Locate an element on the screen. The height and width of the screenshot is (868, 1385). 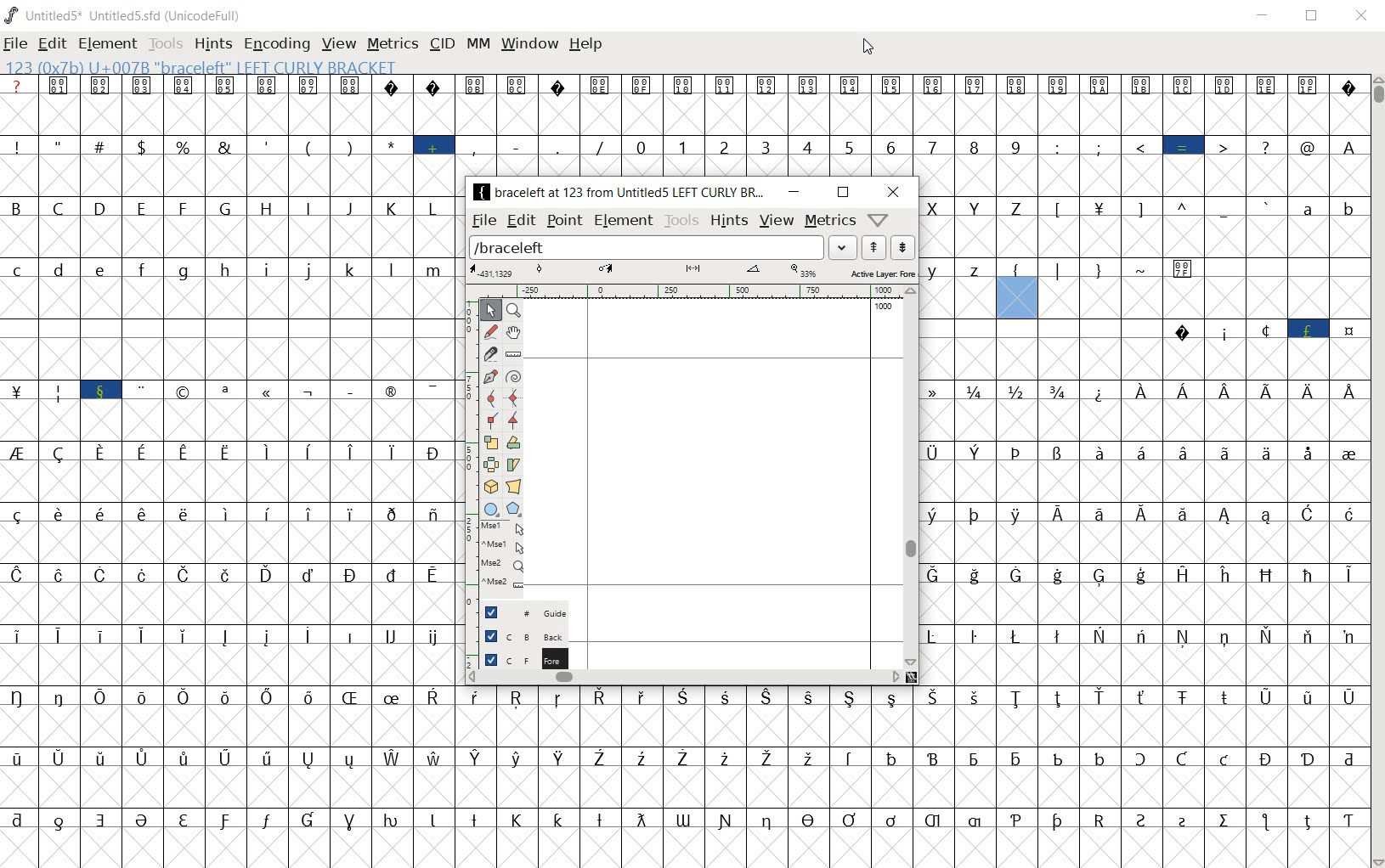
hints is located at coordinates (727, 222).